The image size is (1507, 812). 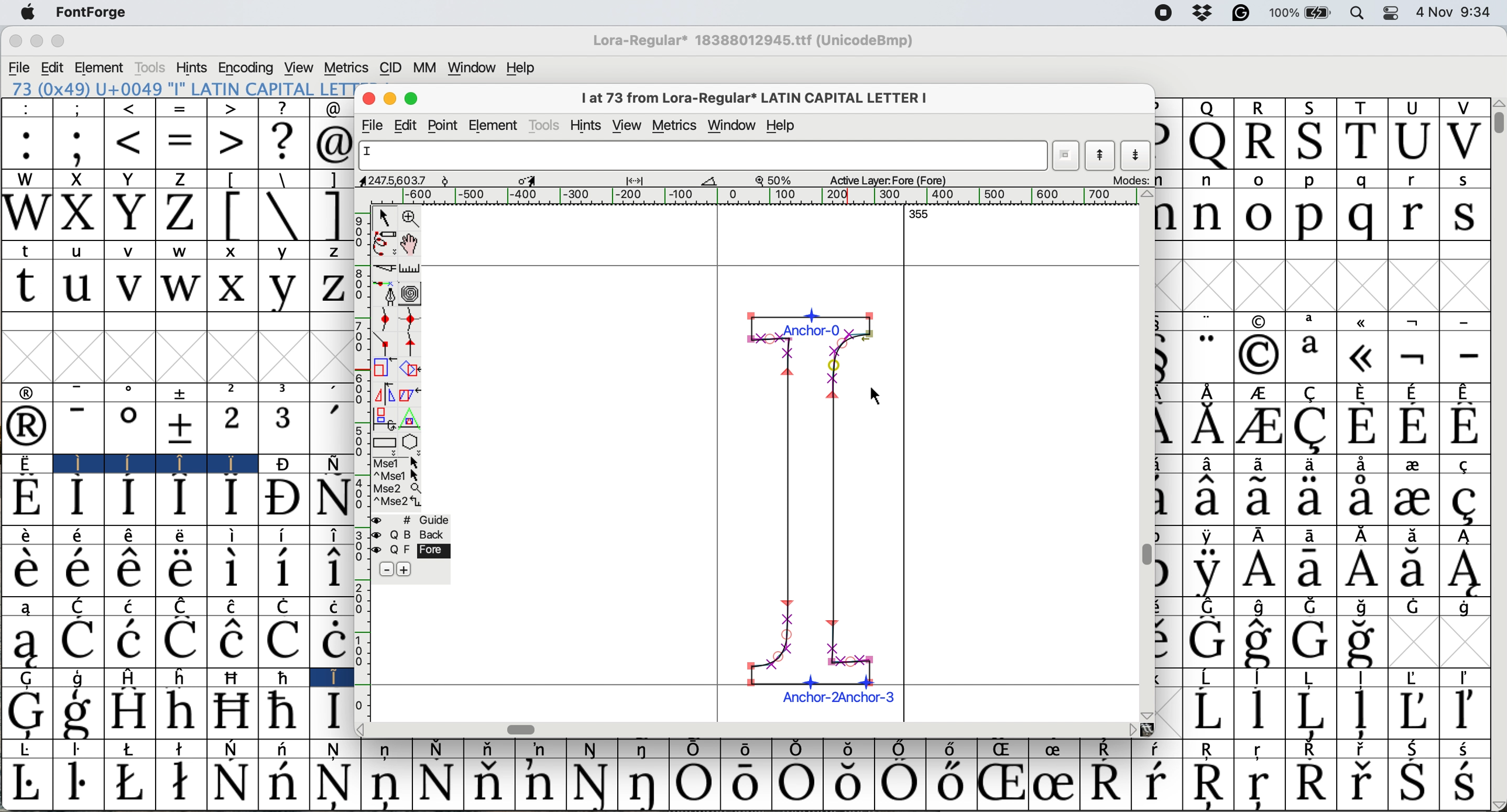 I want to click on Symbol, so click(x=334, y=462).